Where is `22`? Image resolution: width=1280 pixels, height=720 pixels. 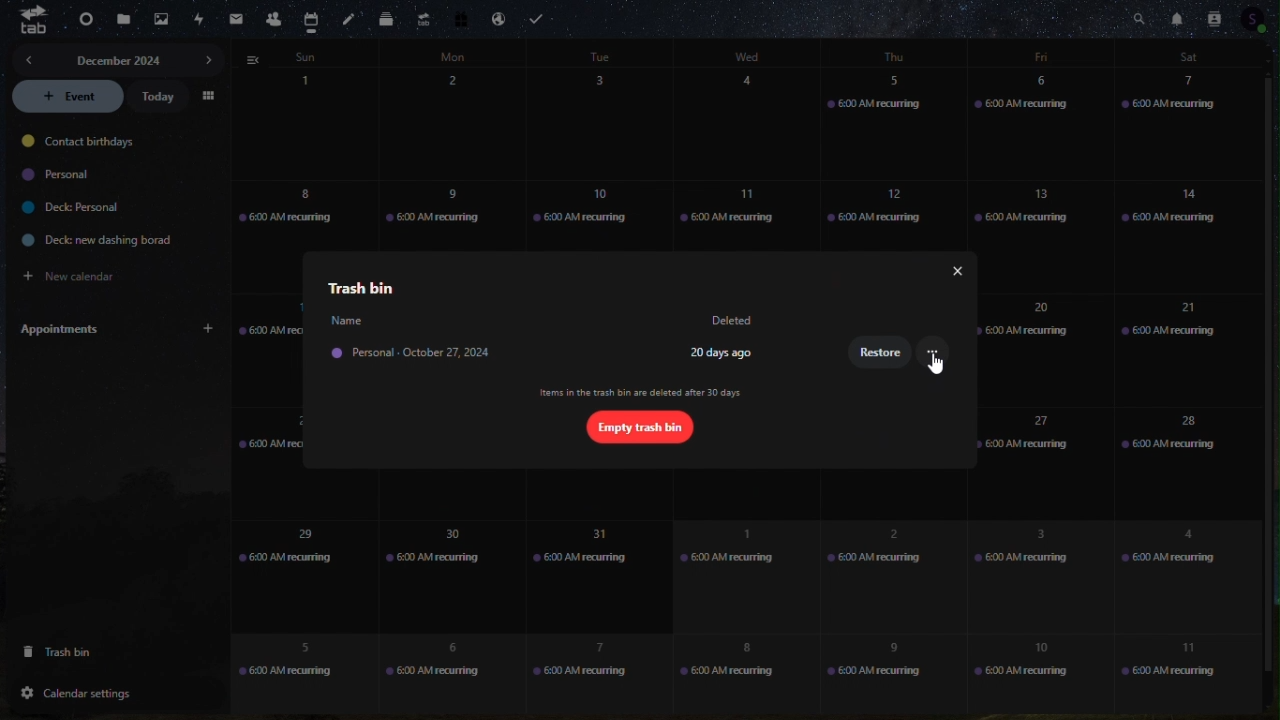
22 is located at coordinates (290, 463).